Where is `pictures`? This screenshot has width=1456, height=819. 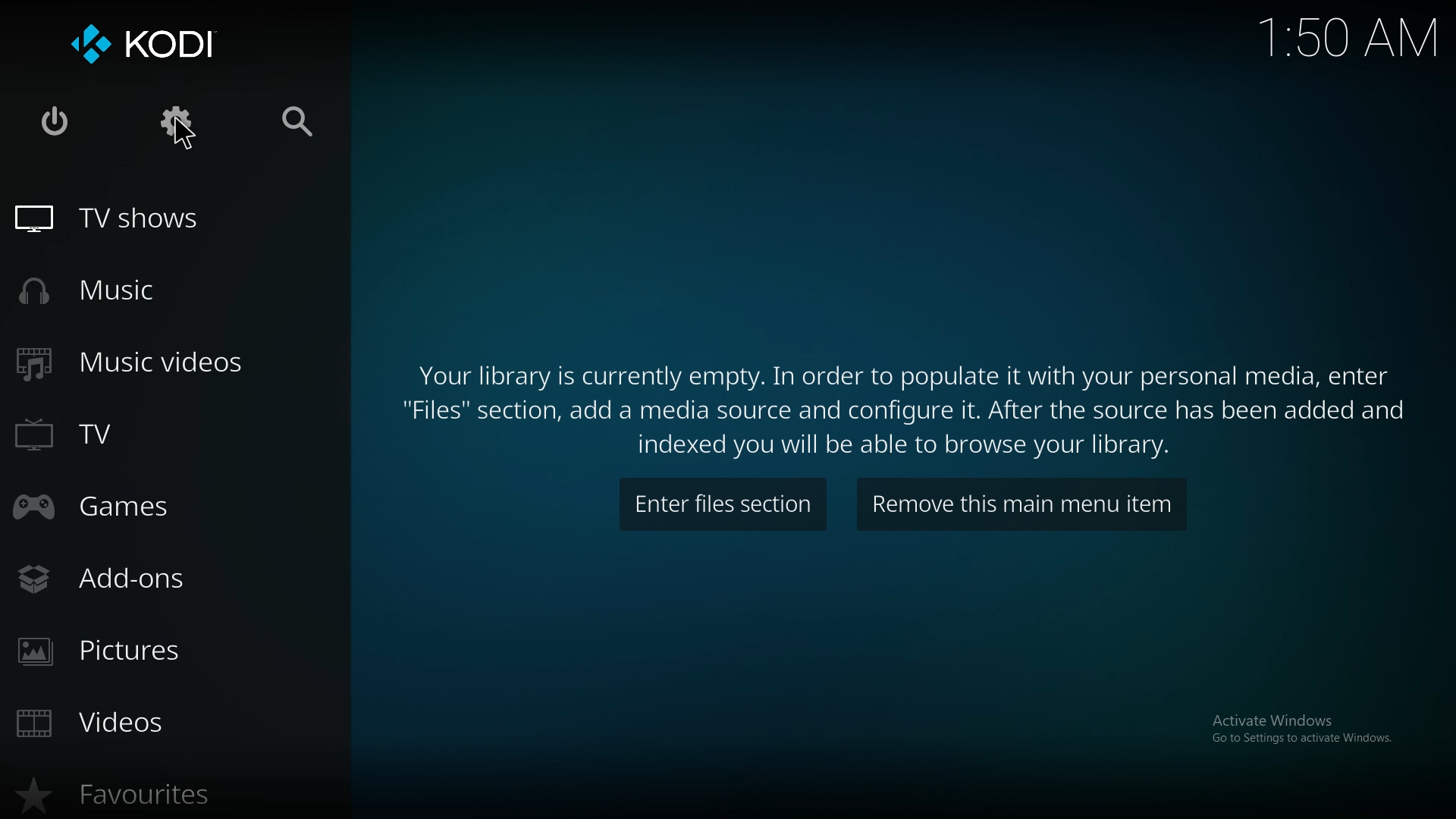 pictures is located at coordinates (121, 651).